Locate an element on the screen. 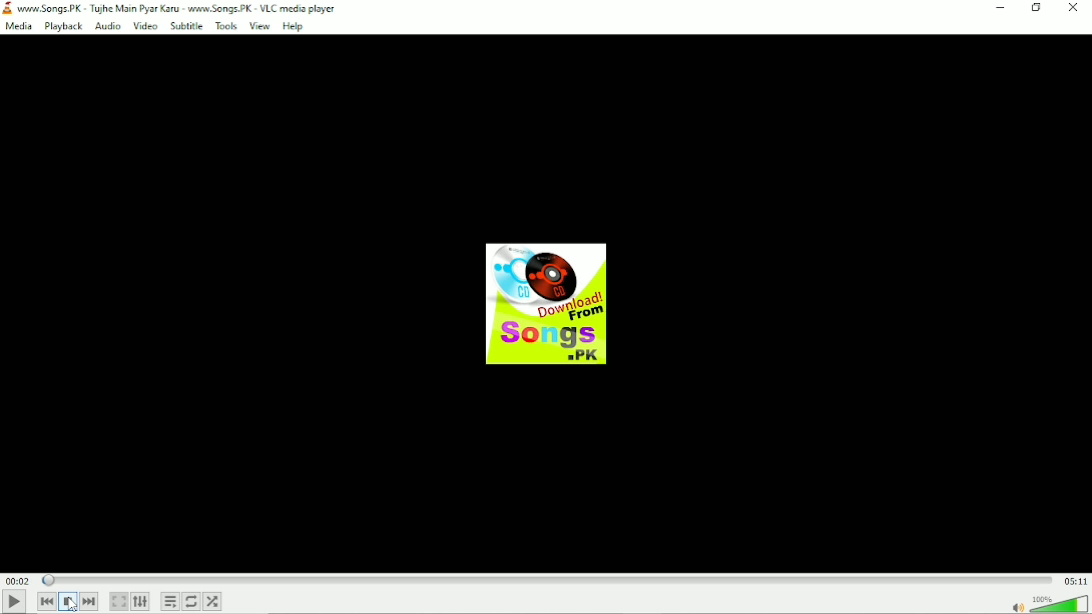 The image size is (1092, 614). Minimize is located at coordinates (1002, 8).